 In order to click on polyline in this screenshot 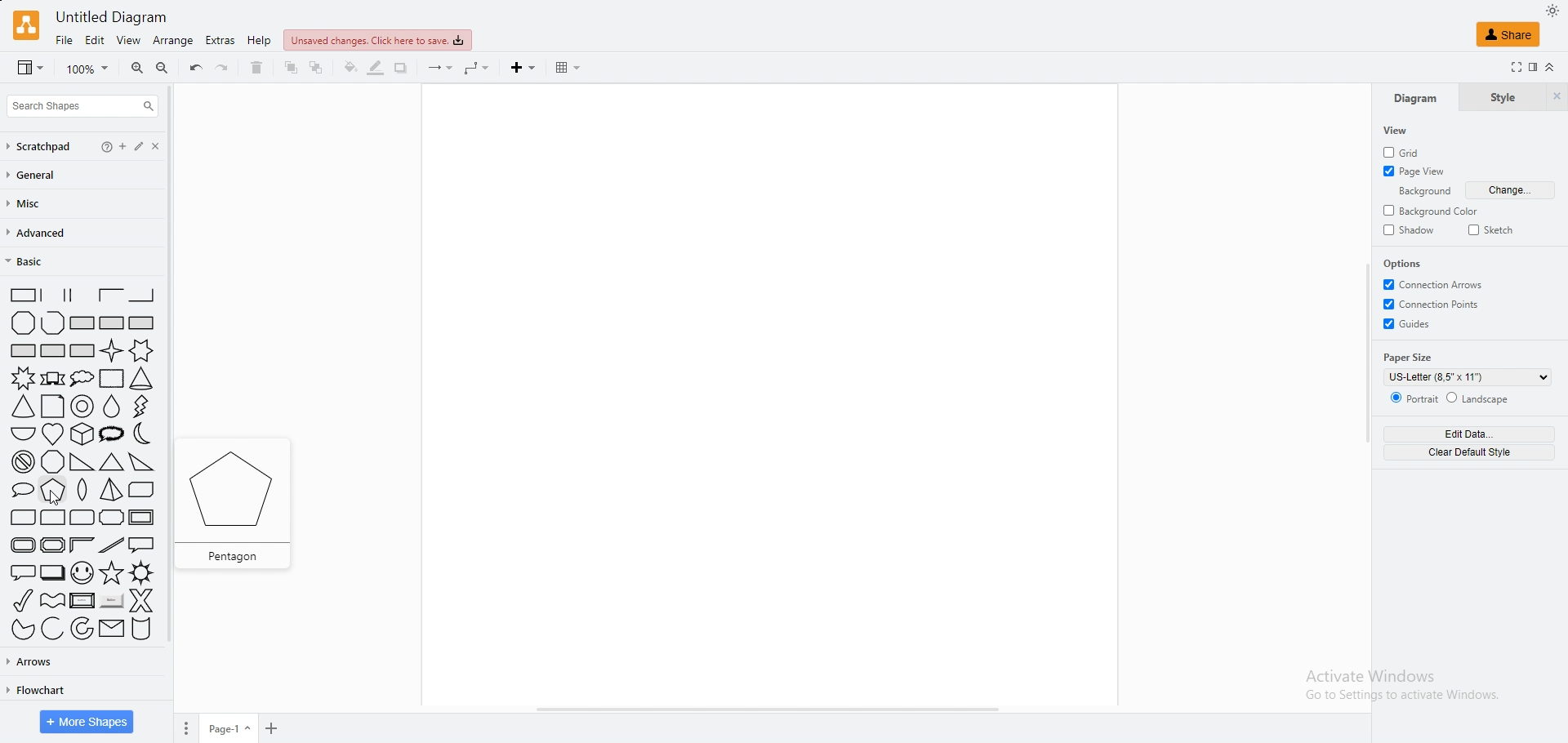, I will do `click(52, 323)`.